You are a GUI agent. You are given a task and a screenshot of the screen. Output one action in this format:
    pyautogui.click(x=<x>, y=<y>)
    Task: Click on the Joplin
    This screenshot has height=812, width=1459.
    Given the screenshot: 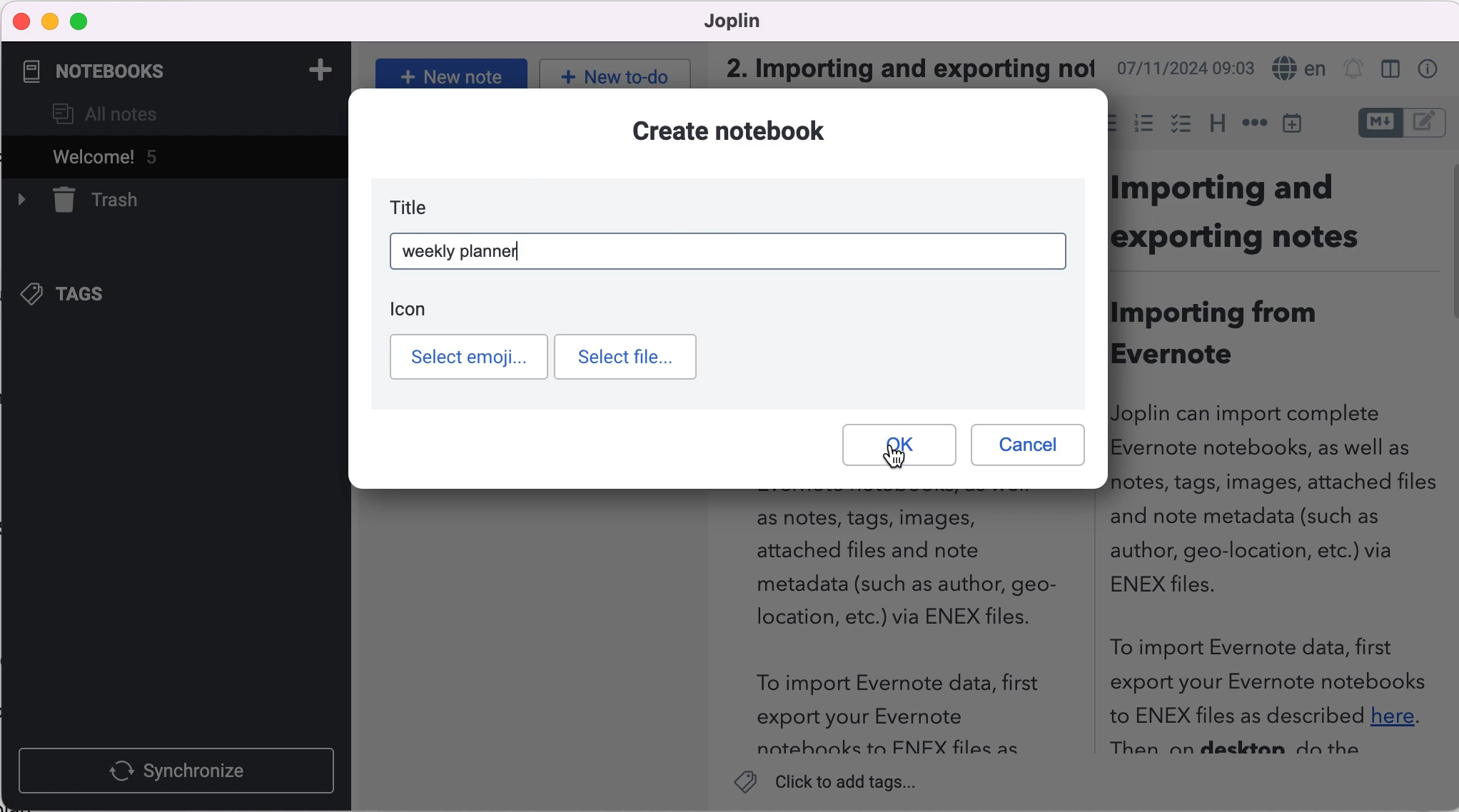 What is the action you would take?
    pyautogui.click(x=725, y=20)
    